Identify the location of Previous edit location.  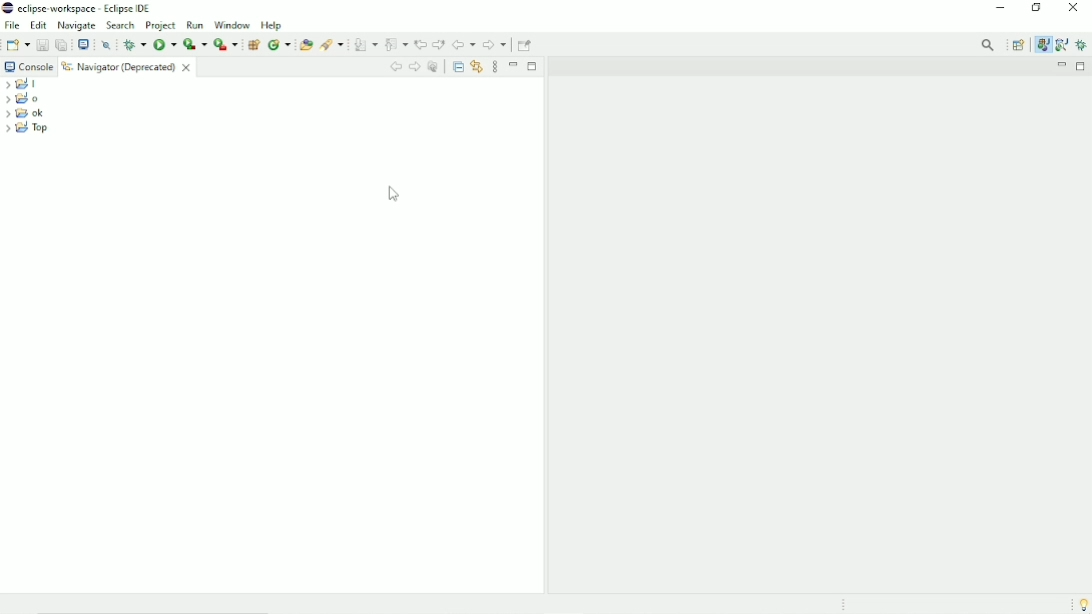
(420, 45).